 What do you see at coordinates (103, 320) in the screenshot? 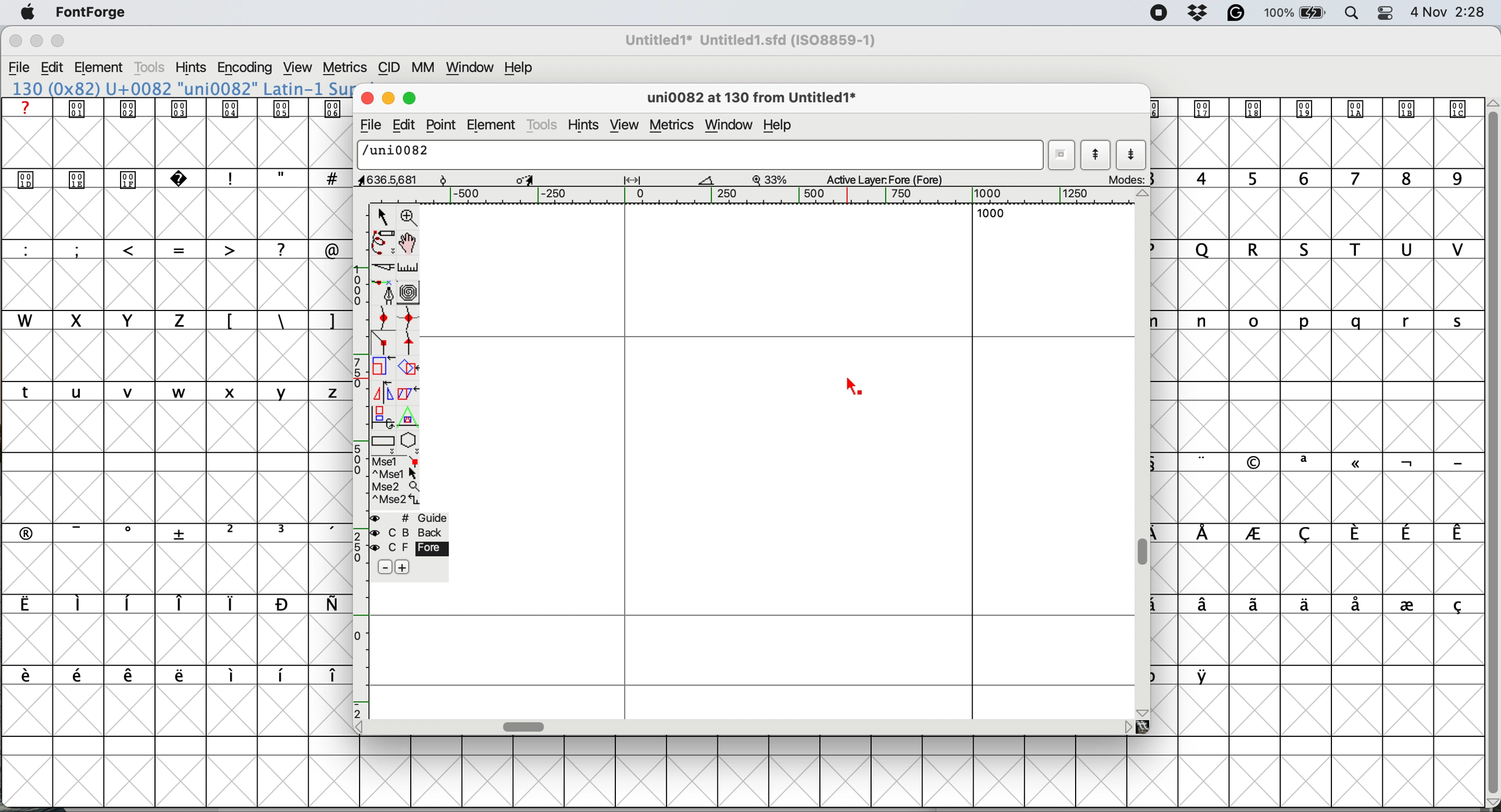
I see `uppercase letters` at bounding box center [103, 320].